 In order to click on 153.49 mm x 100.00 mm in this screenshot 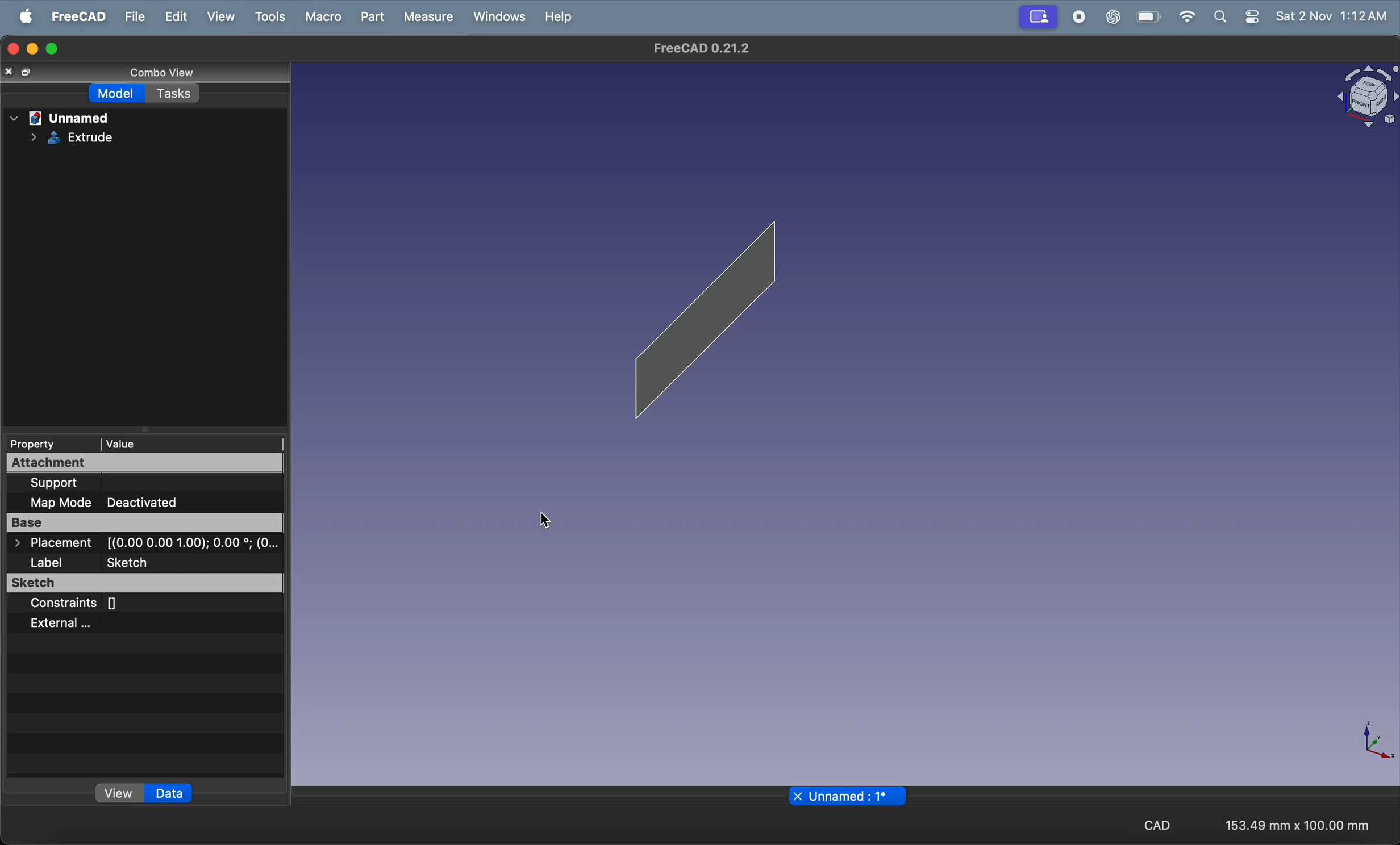, I will do `click(1298, 826)`.